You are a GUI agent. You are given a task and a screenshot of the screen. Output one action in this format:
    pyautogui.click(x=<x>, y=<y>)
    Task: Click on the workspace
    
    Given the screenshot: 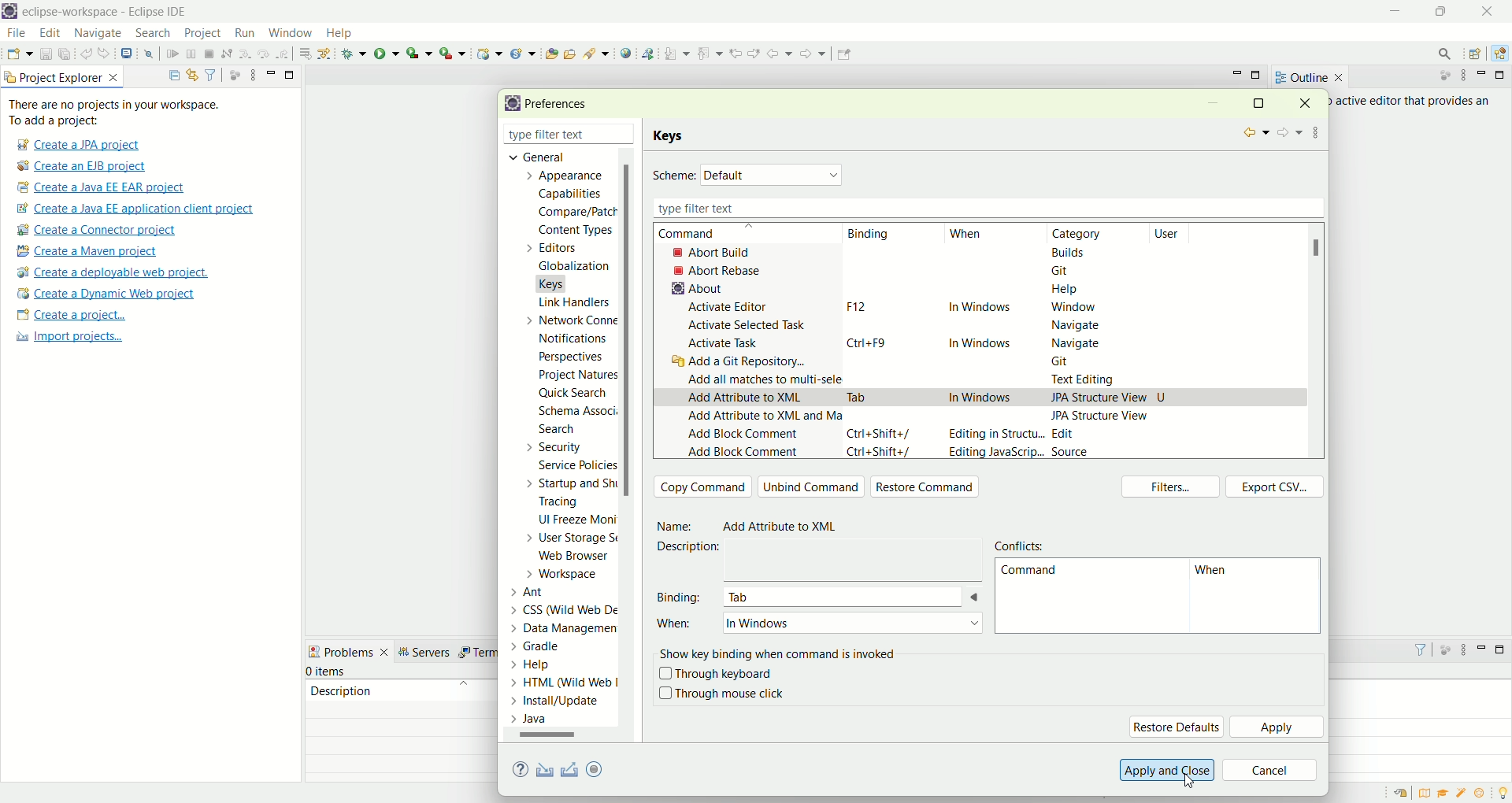 What is the action you would take?
    pyautogui.click(x=566, y=574)
    